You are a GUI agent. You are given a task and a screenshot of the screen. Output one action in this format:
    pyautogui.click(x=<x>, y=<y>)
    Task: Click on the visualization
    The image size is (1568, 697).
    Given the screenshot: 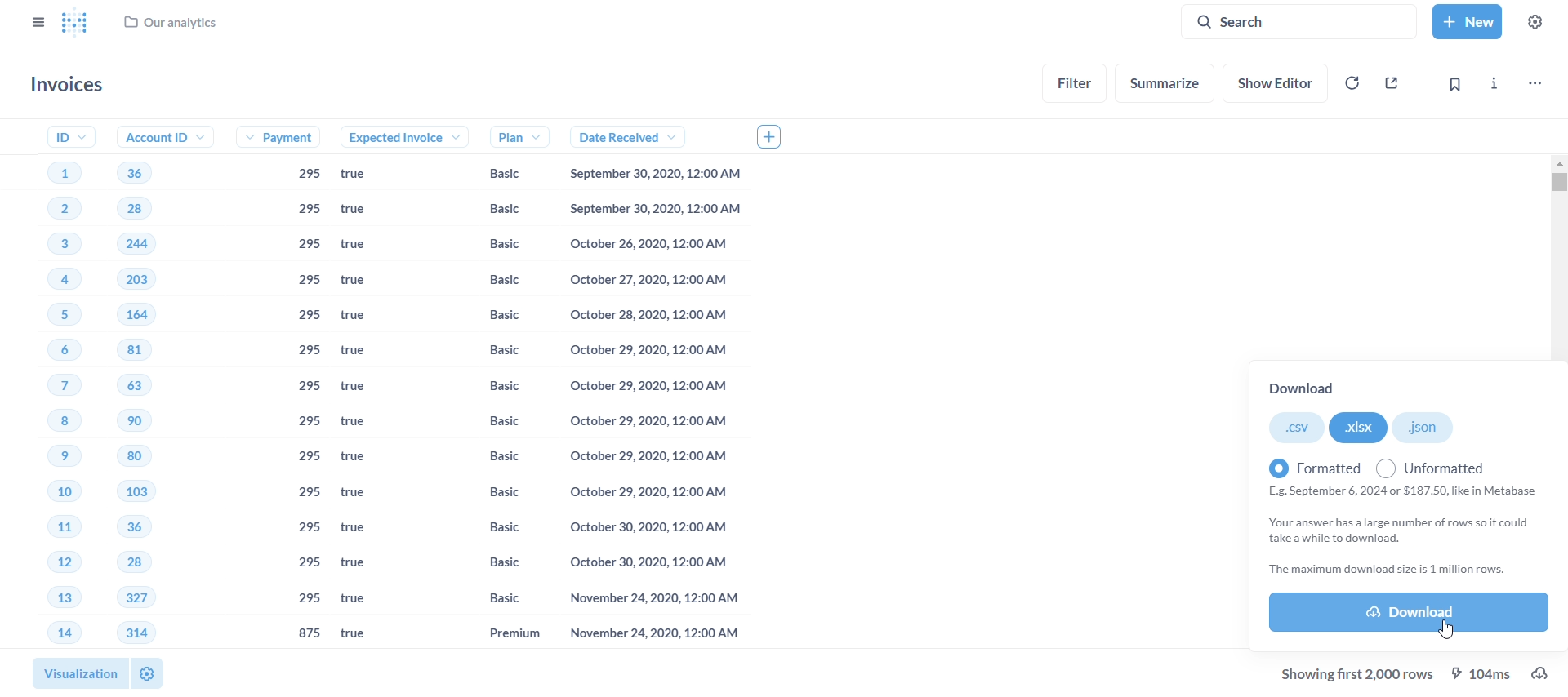 What is the action you would take?
    pyautogui.click(x=74, y=670)
    